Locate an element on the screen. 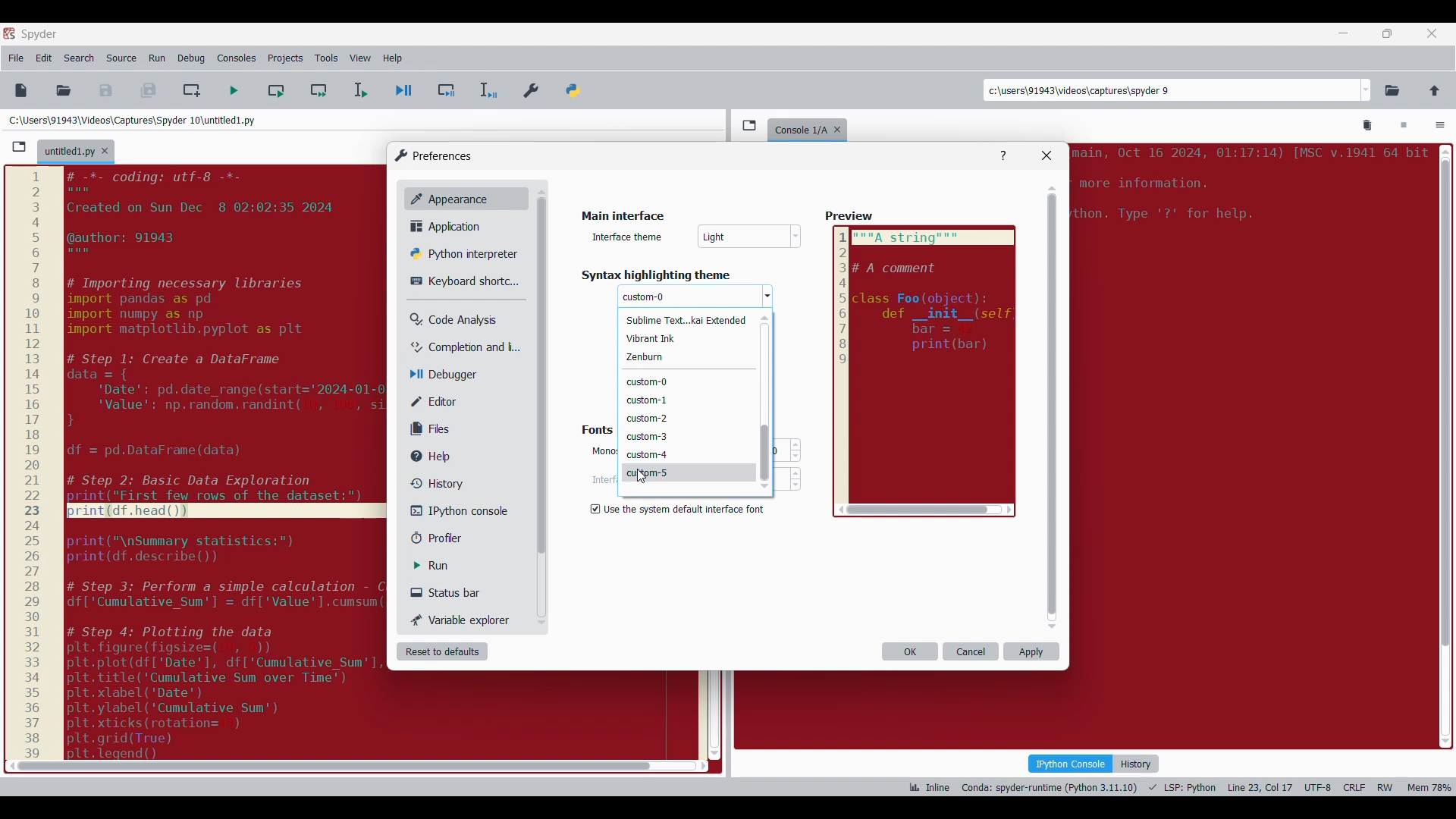  console is located at coordinates (798, 128).